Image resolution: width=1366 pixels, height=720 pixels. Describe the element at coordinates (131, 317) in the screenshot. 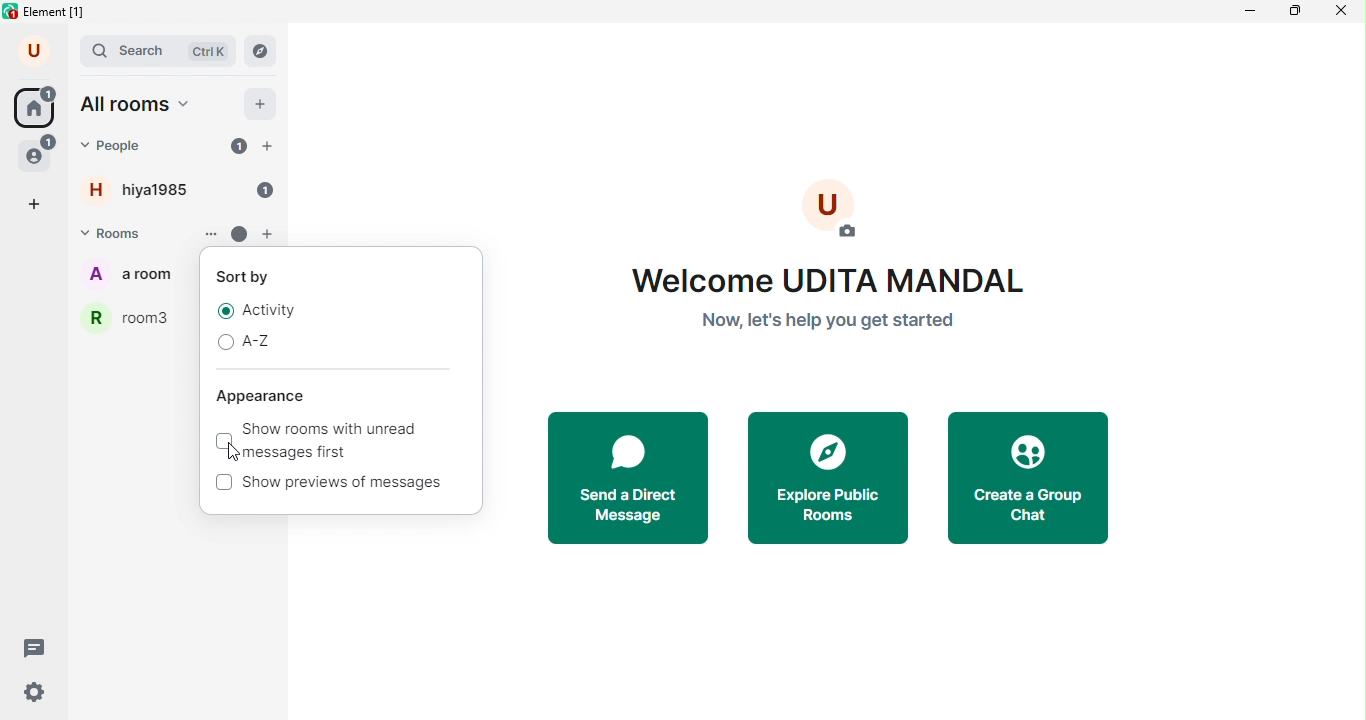

I see `room3` at that location.